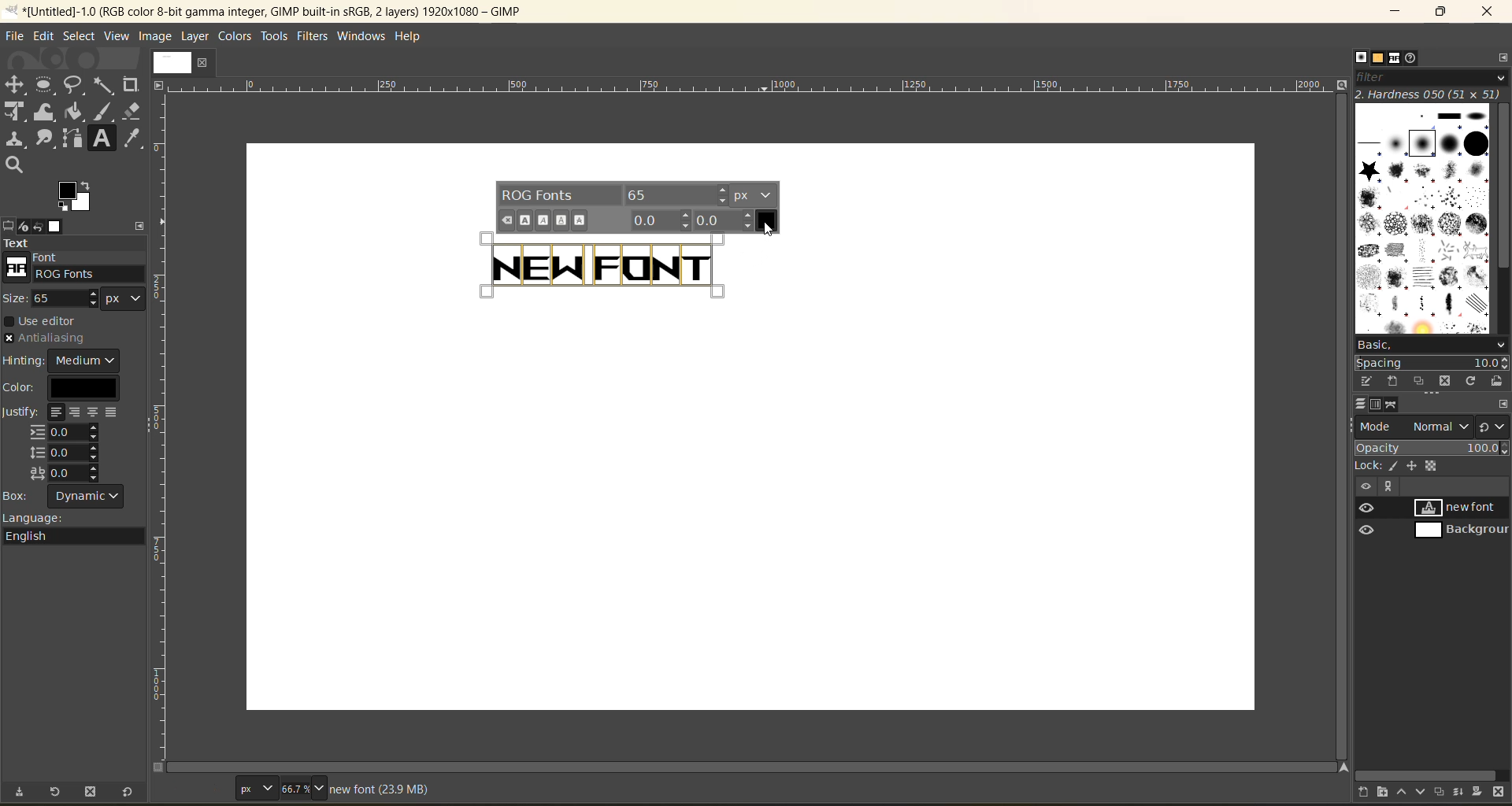  What do you see at coordinates (1489, 12) in the screenshot?
I see `close` at bounding box center [1489, 12].